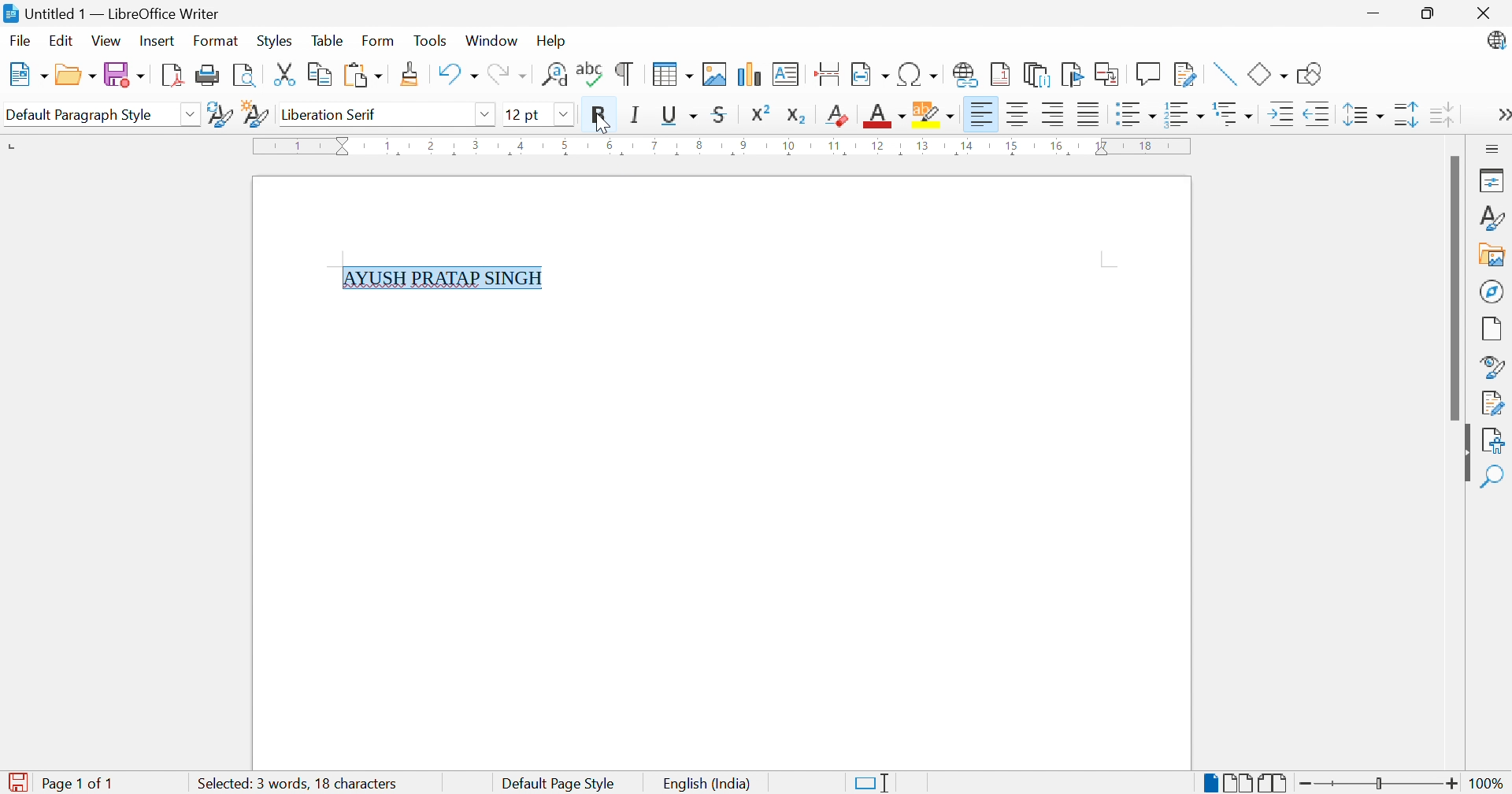 Image resolution: width=1512 pixels, height=794 pixels. Describe the element at coordinates (273, 42) in the screenshot. I see `Styles` at that location.